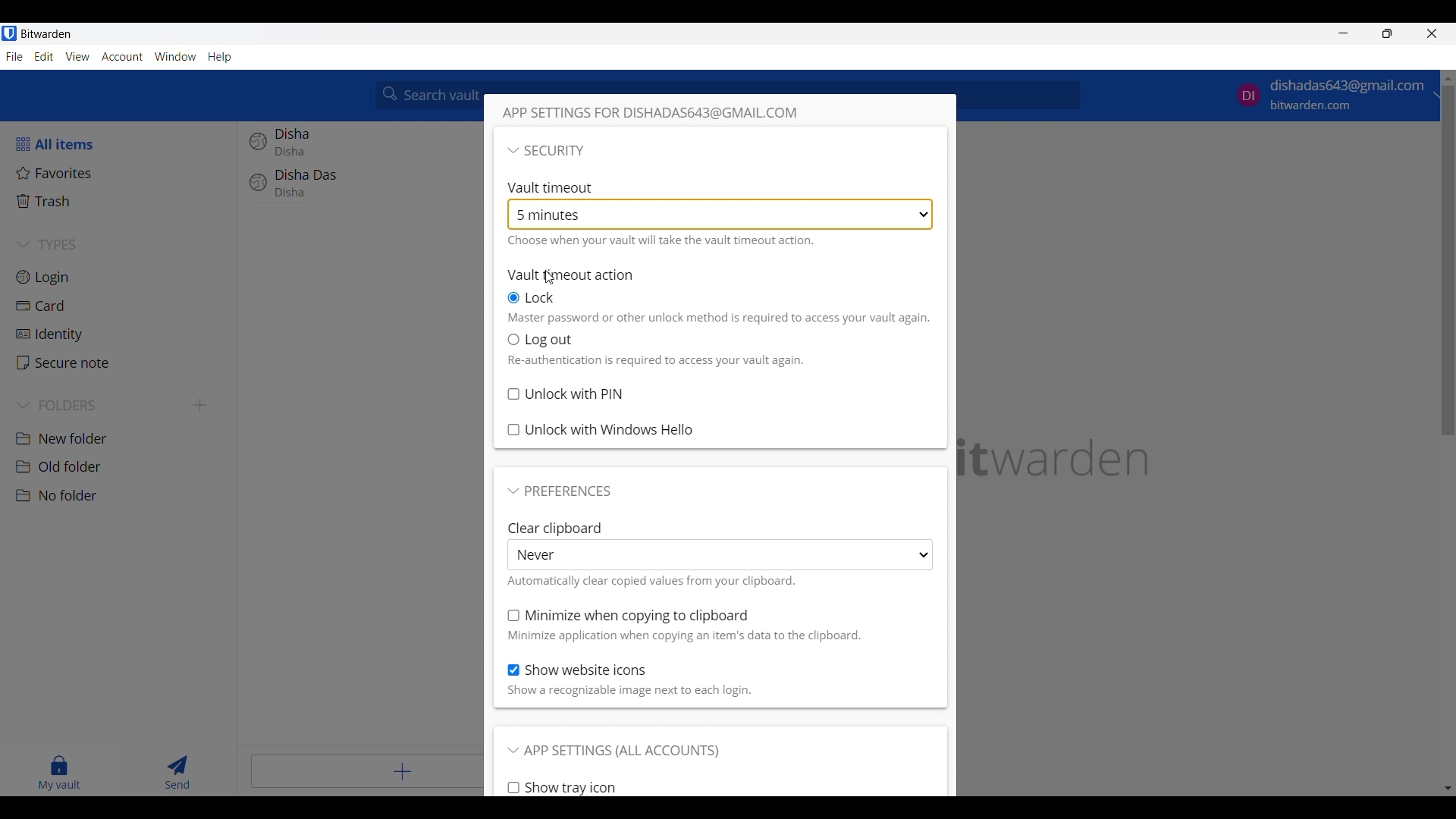 Image resolution: width=1456 pixels, height=819 pixels. I want to click on Toggle for Show tray icon, so click(562, 788).